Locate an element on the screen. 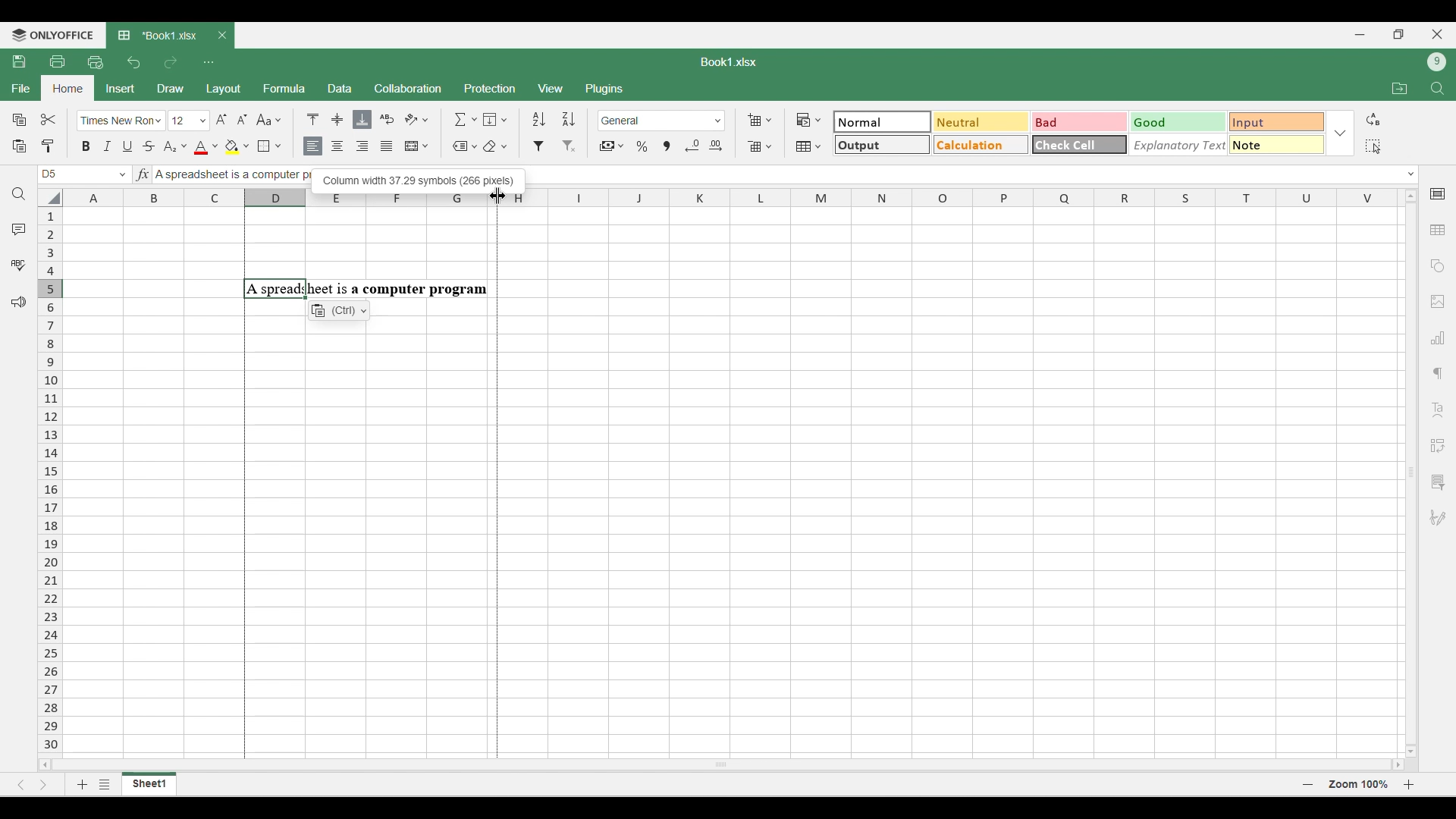  Text font options is located at coordinates (121, 121).